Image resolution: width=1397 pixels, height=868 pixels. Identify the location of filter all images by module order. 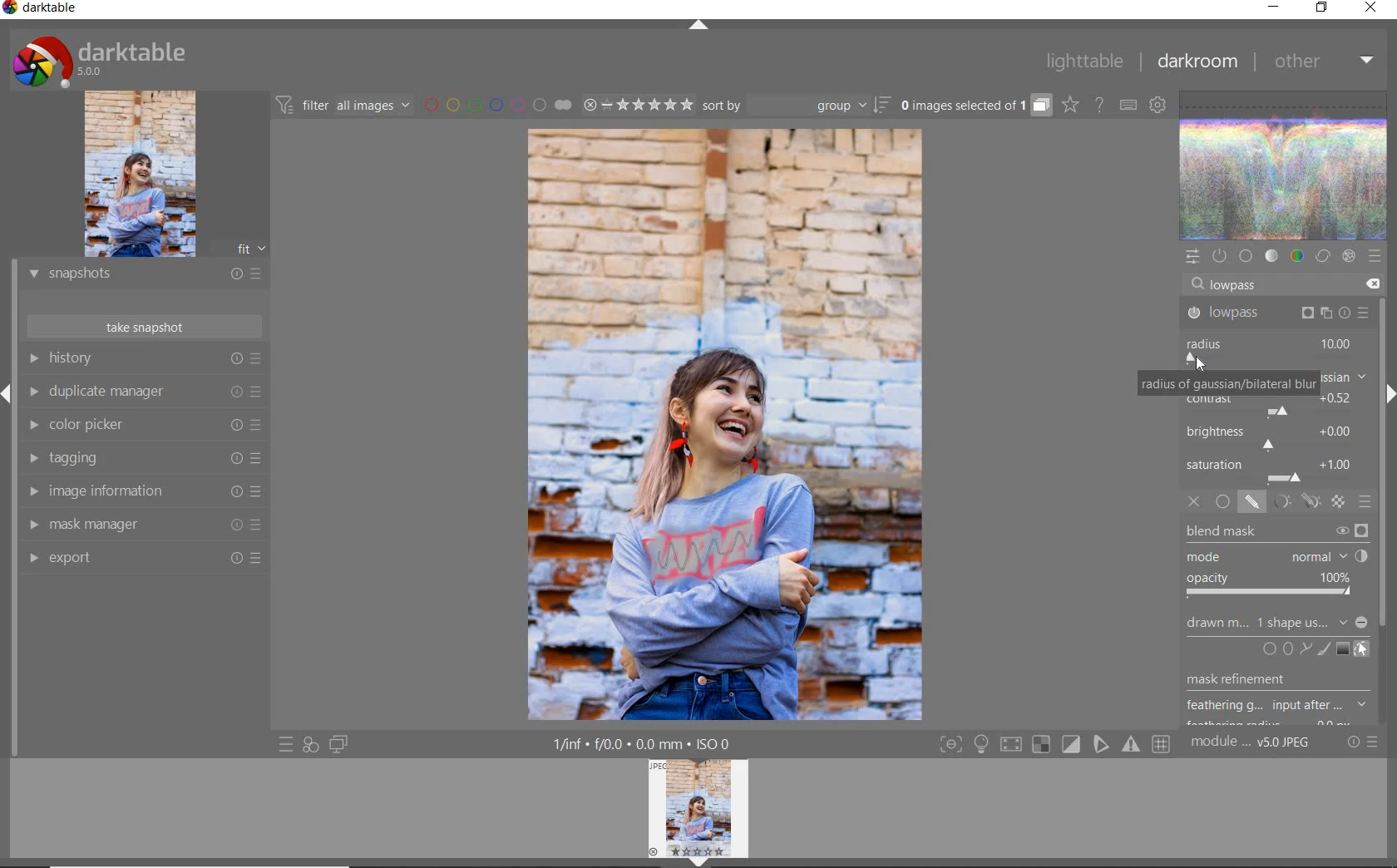
(344, 106).